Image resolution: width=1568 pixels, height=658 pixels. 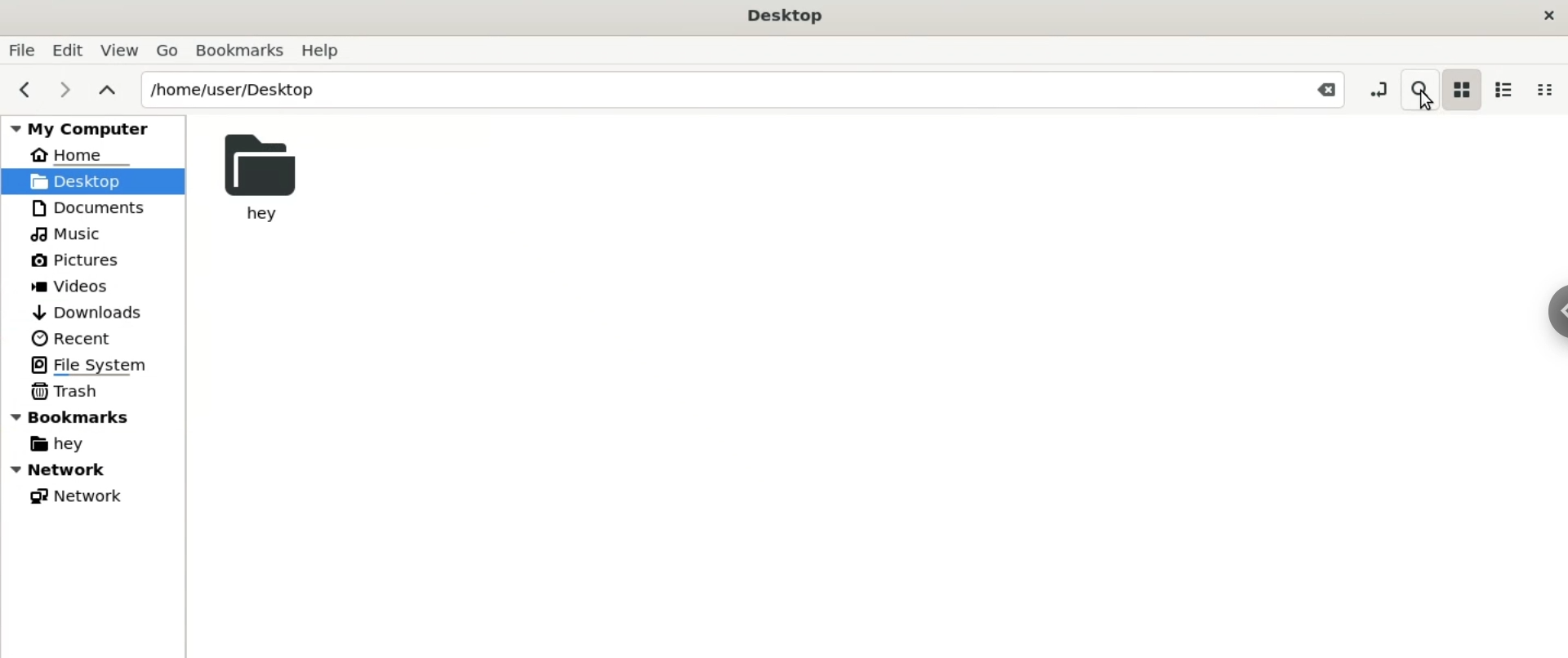 I want to click on hey, so click(x=273, y=174).